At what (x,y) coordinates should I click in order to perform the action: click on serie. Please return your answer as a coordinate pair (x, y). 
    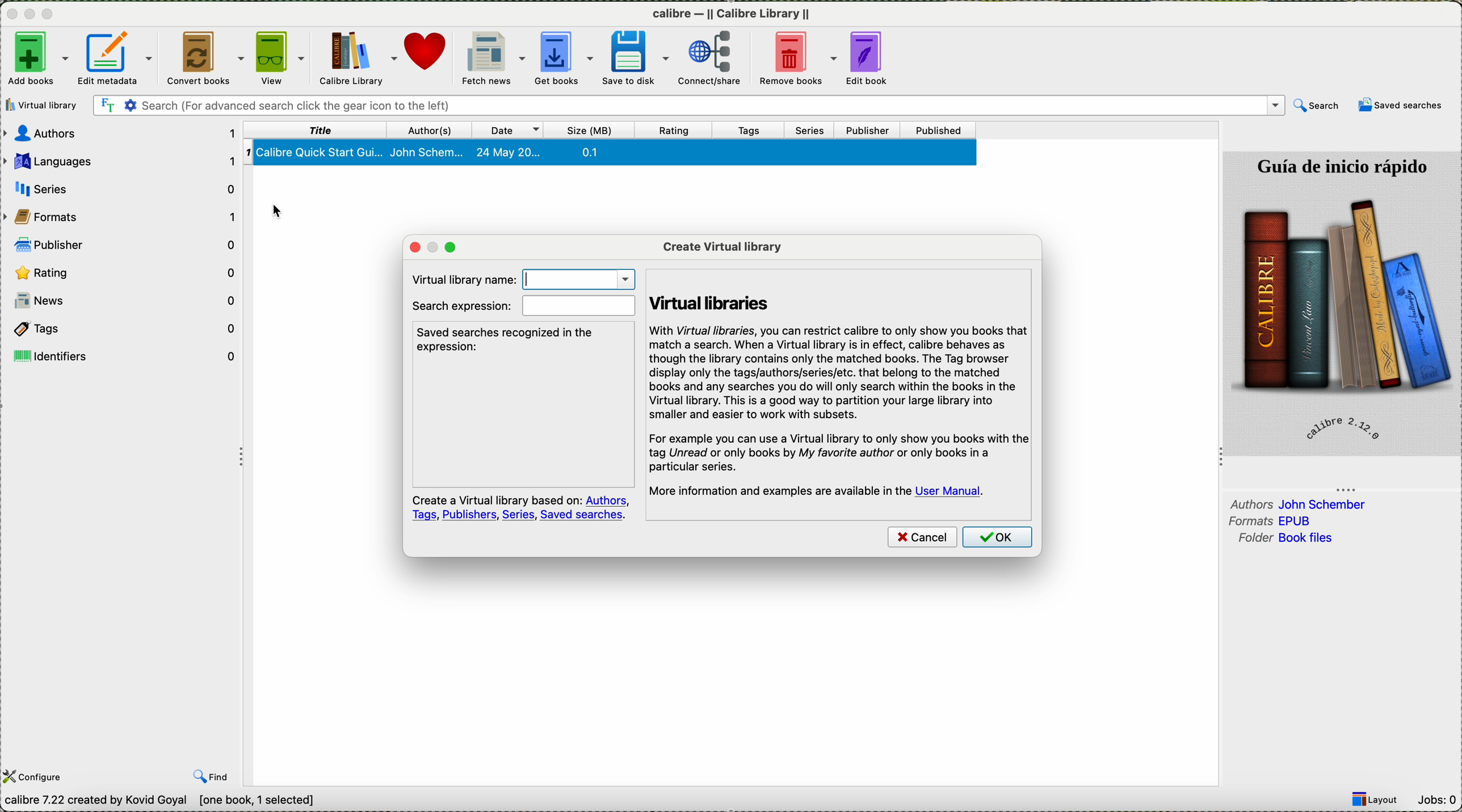
    Looking at the image, I should click on (123, 187).